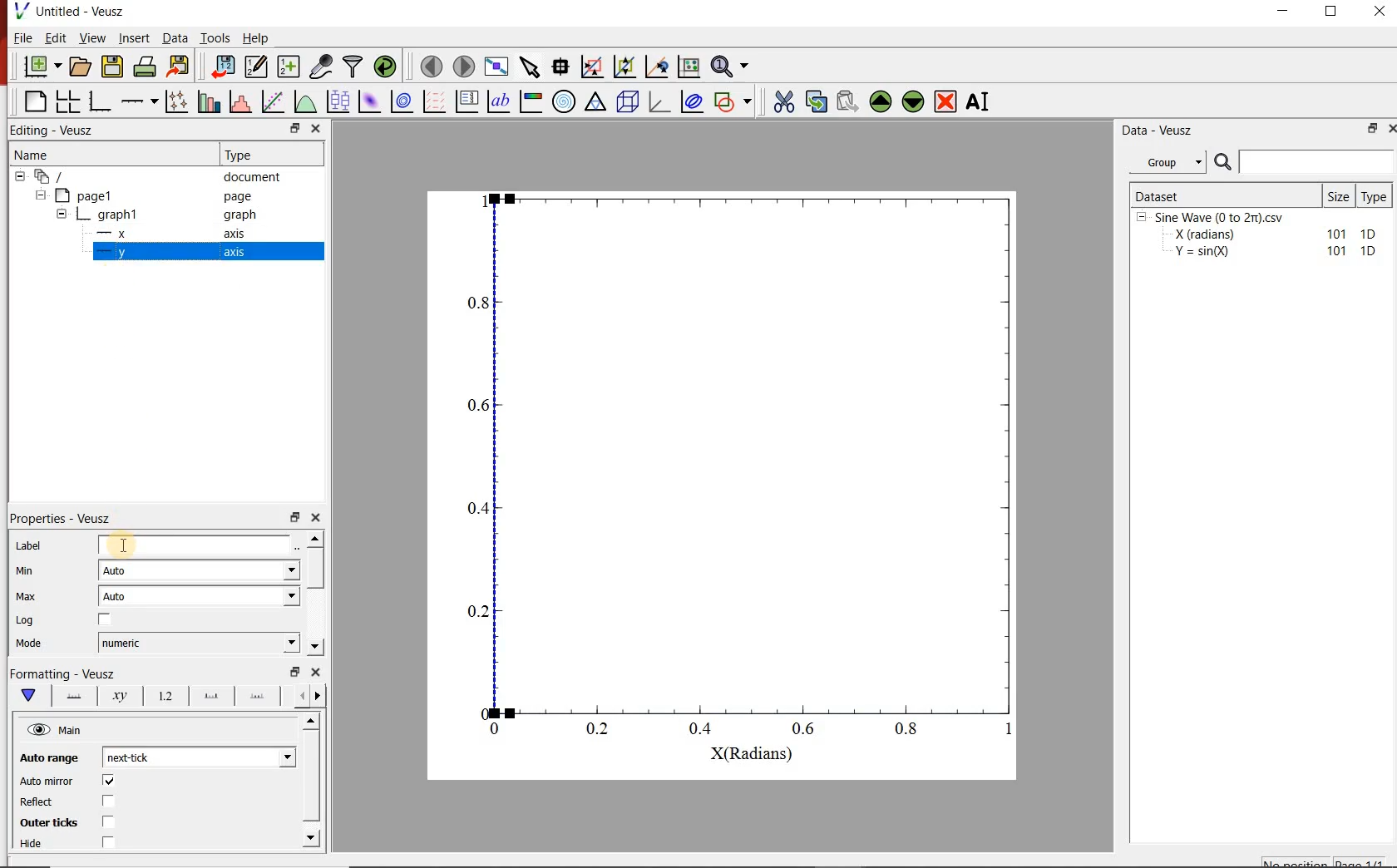 The height and width of the screenshot is (868, 1397). What do you see at coordinates (47, 782) in the screenshot?
I see `Auto mirror` at bounding box center [47, 782].